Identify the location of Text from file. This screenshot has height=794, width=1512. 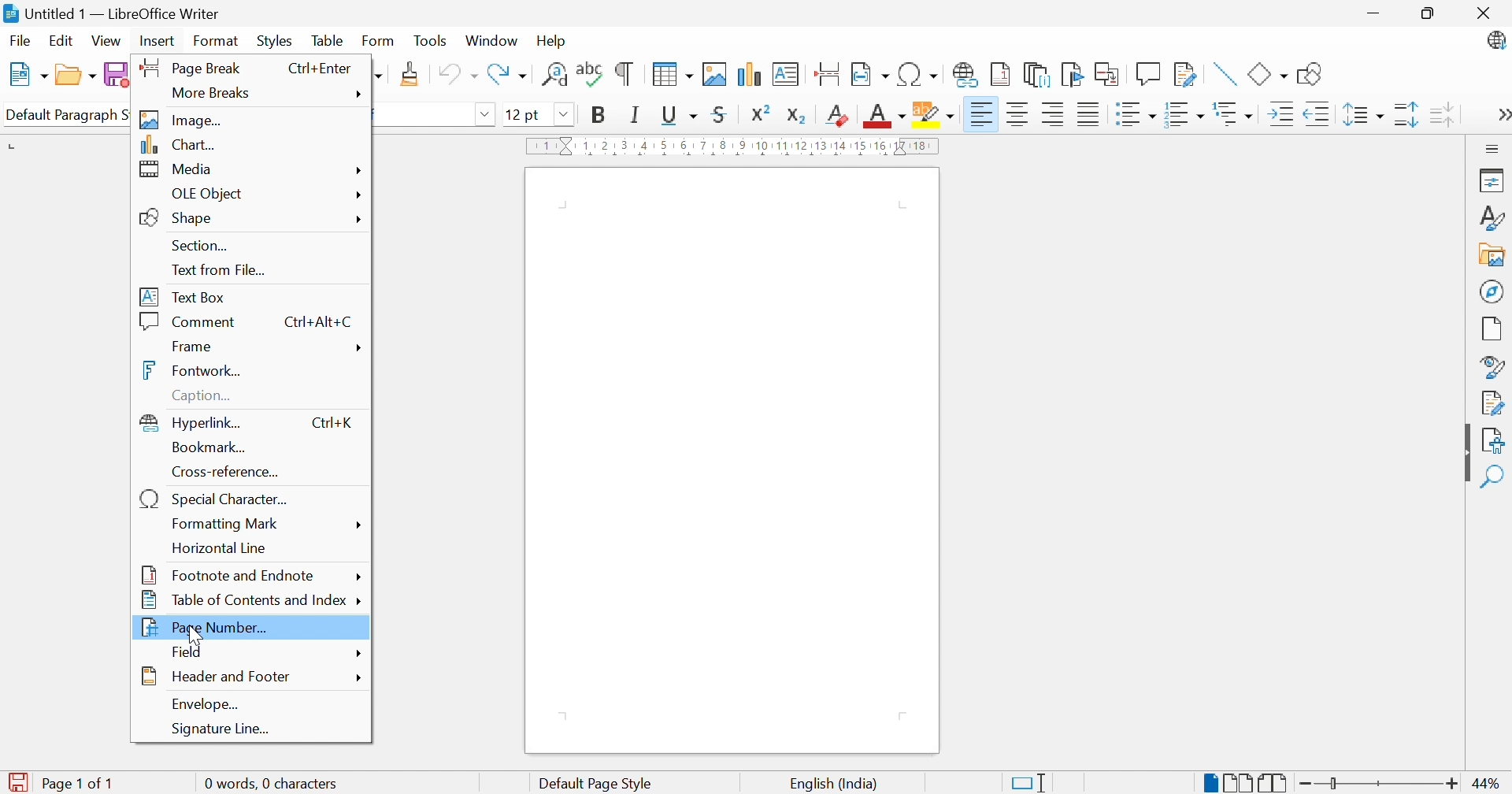
(220, 271).